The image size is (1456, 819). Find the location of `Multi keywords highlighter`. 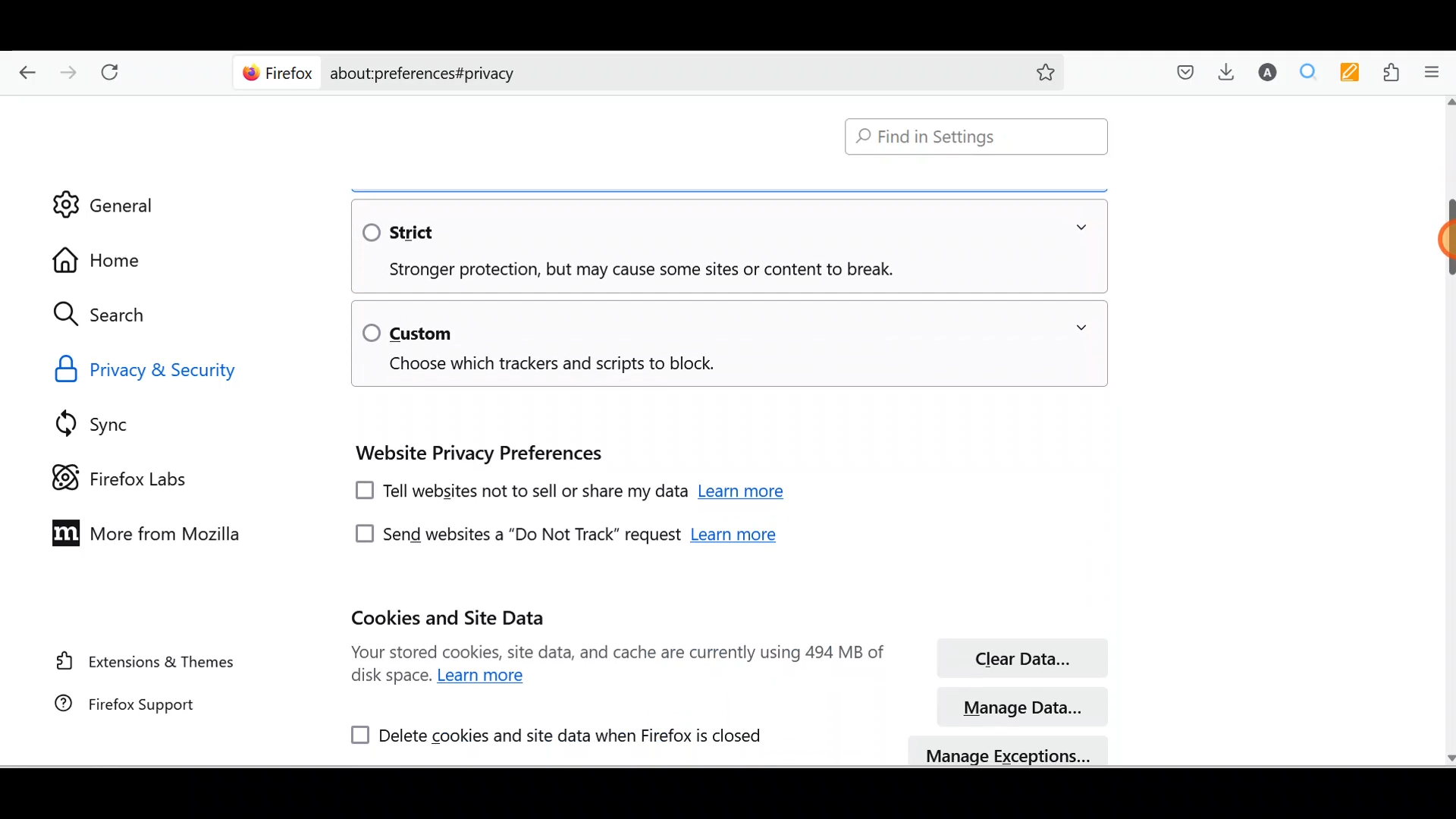

Multi keywords highlighter is located at coordinates (1349, 73).